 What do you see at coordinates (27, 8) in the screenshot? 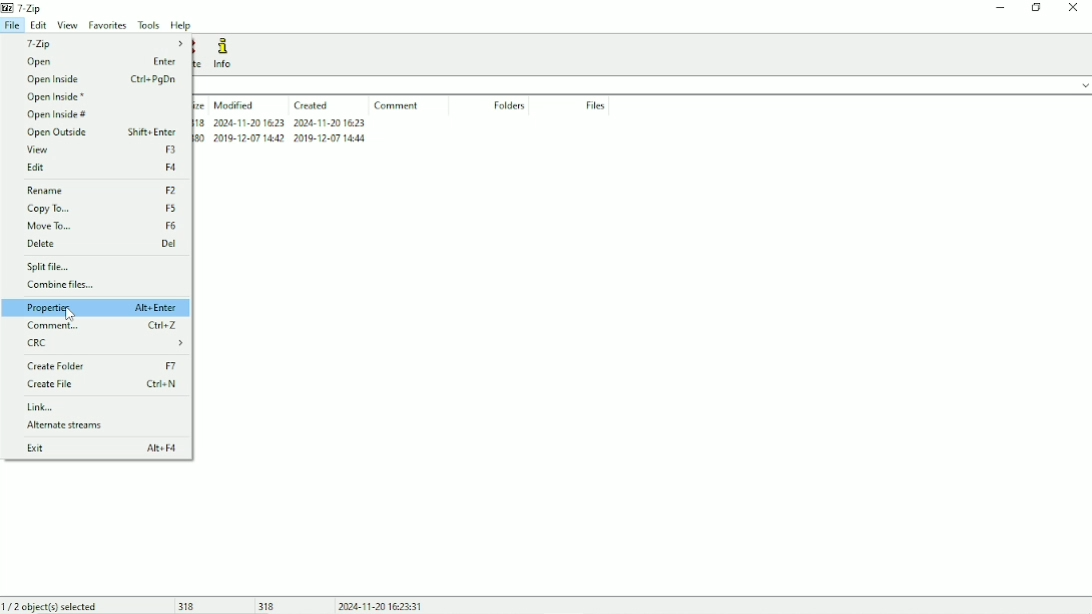
I see `7 - Zip` at bounding box center [27, 8].